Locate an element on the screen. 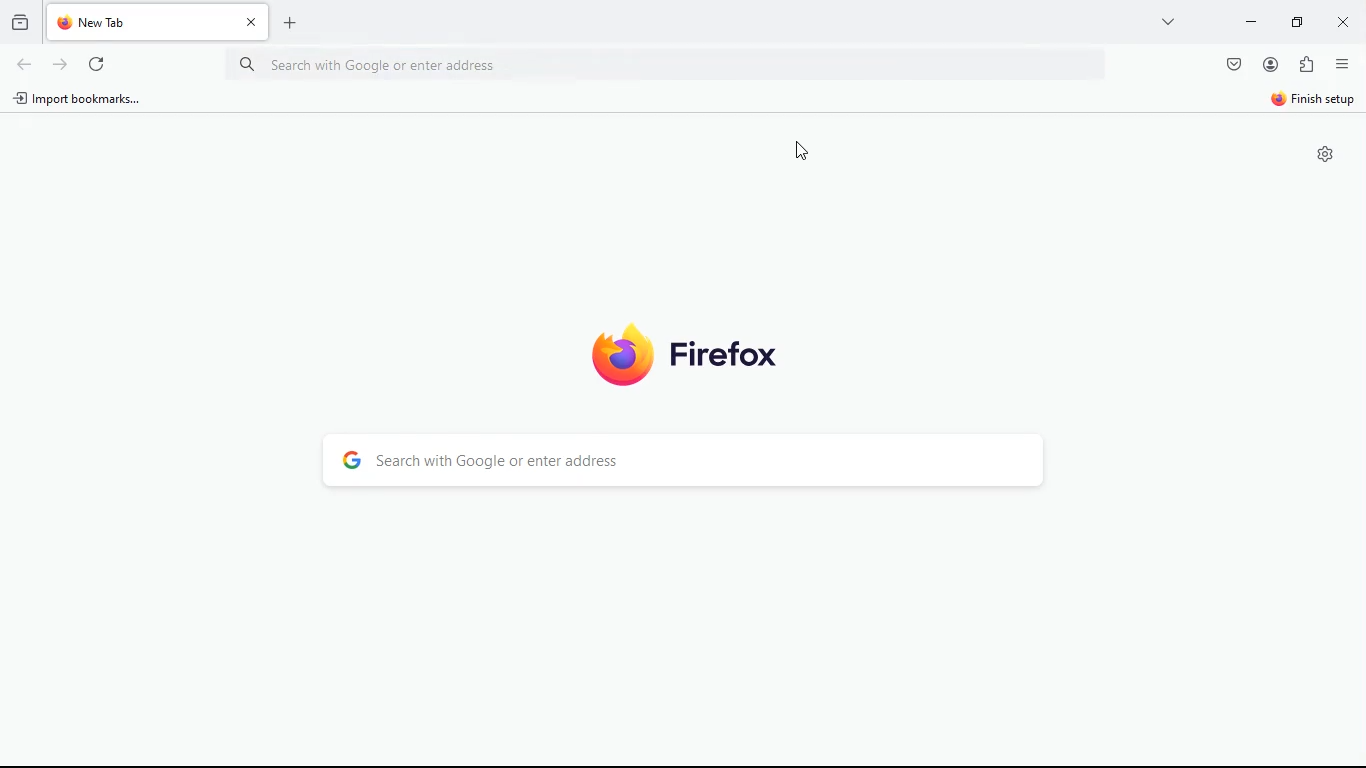 The image size is (1366, 768). minimize is located at coordinates (1248, 22).